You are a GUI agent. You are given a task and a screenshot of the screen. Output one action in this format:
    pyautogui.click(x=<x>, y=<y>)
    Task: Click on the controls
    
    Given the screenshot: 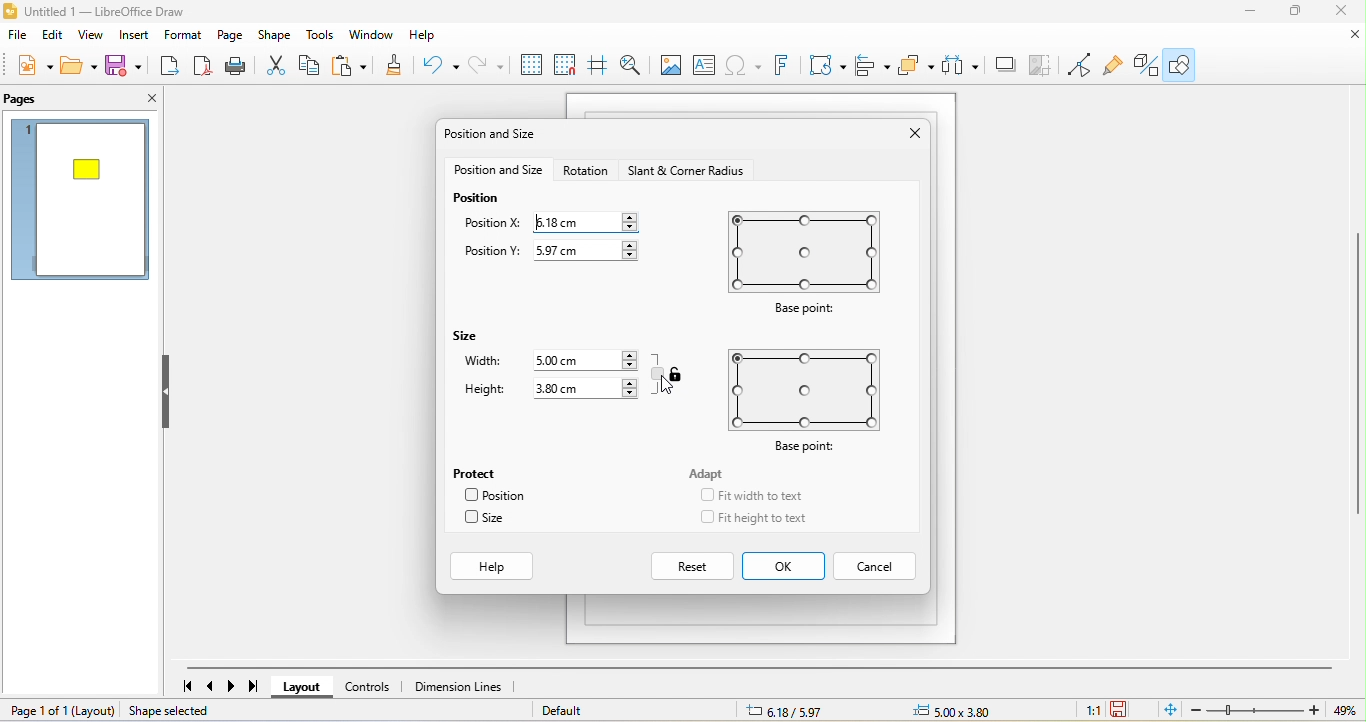 What is the action you would take?
    pyautogui.click(x=372, y=687)
    